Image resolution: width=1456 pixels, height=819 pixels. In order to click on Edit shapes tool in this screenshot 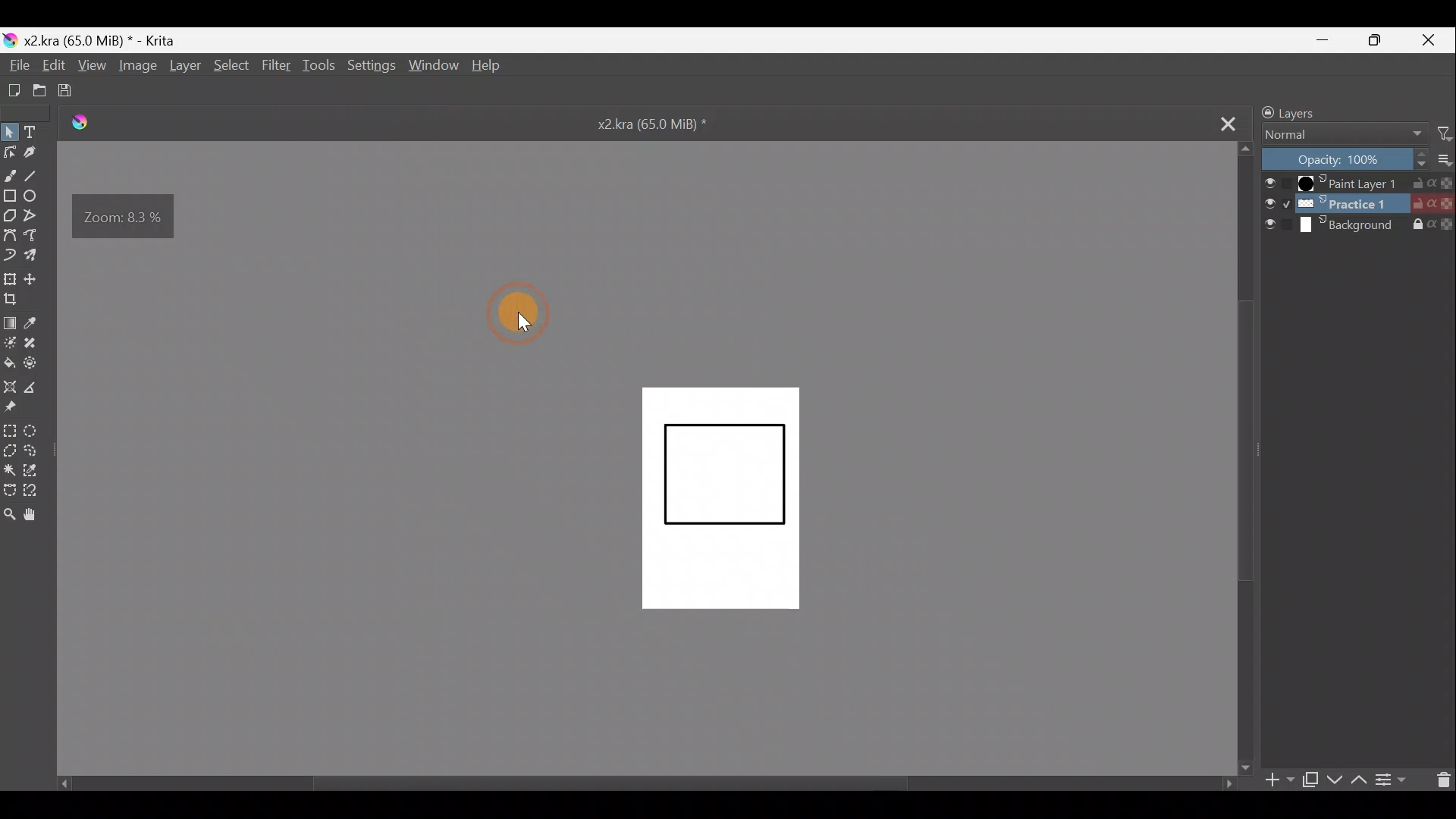, I will do `click(11, 152)`.